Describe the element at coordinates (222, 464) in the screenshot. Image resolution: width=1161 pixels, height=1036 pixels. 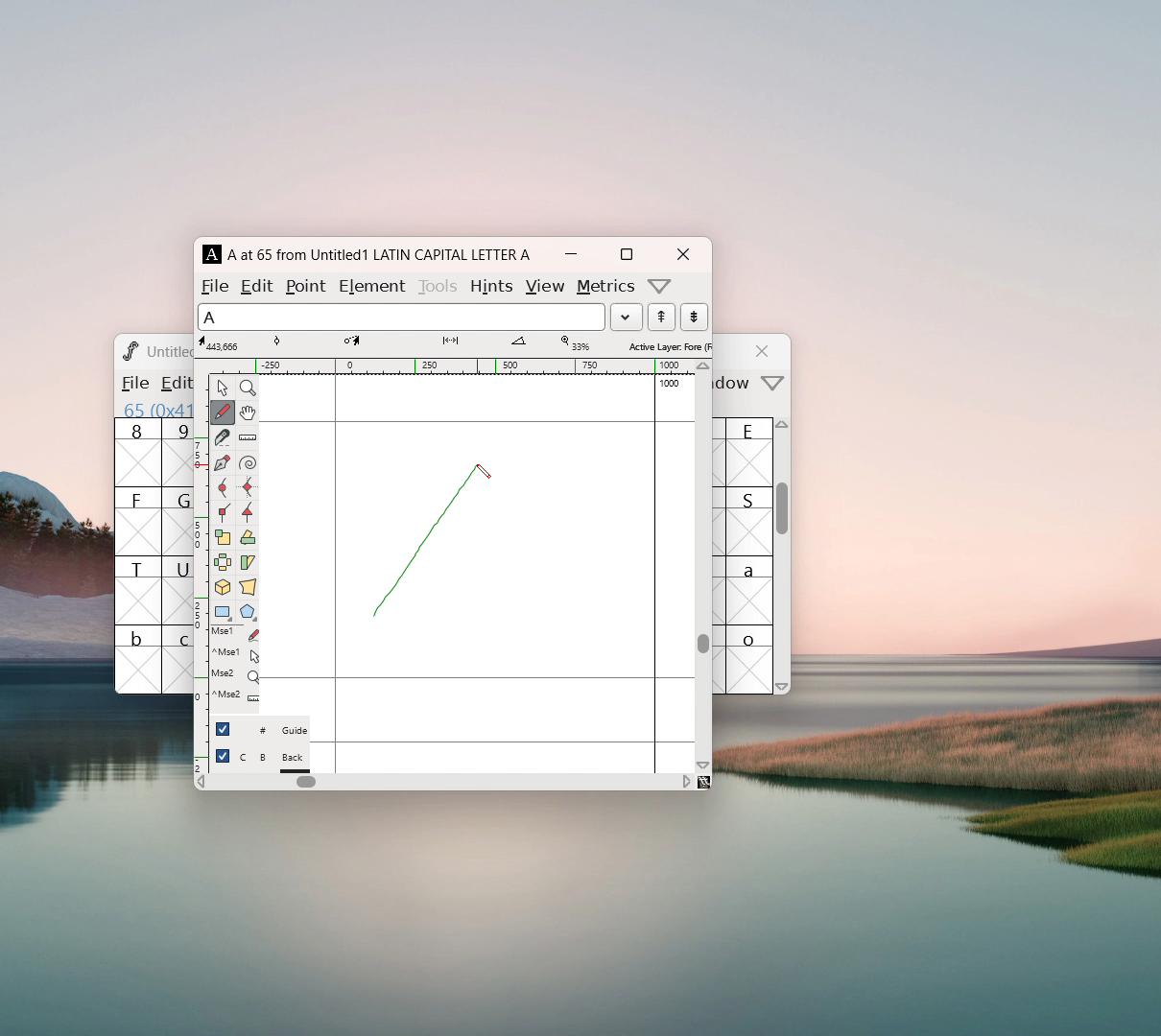
I see `add a point then drag out its conttrol points` at that location.